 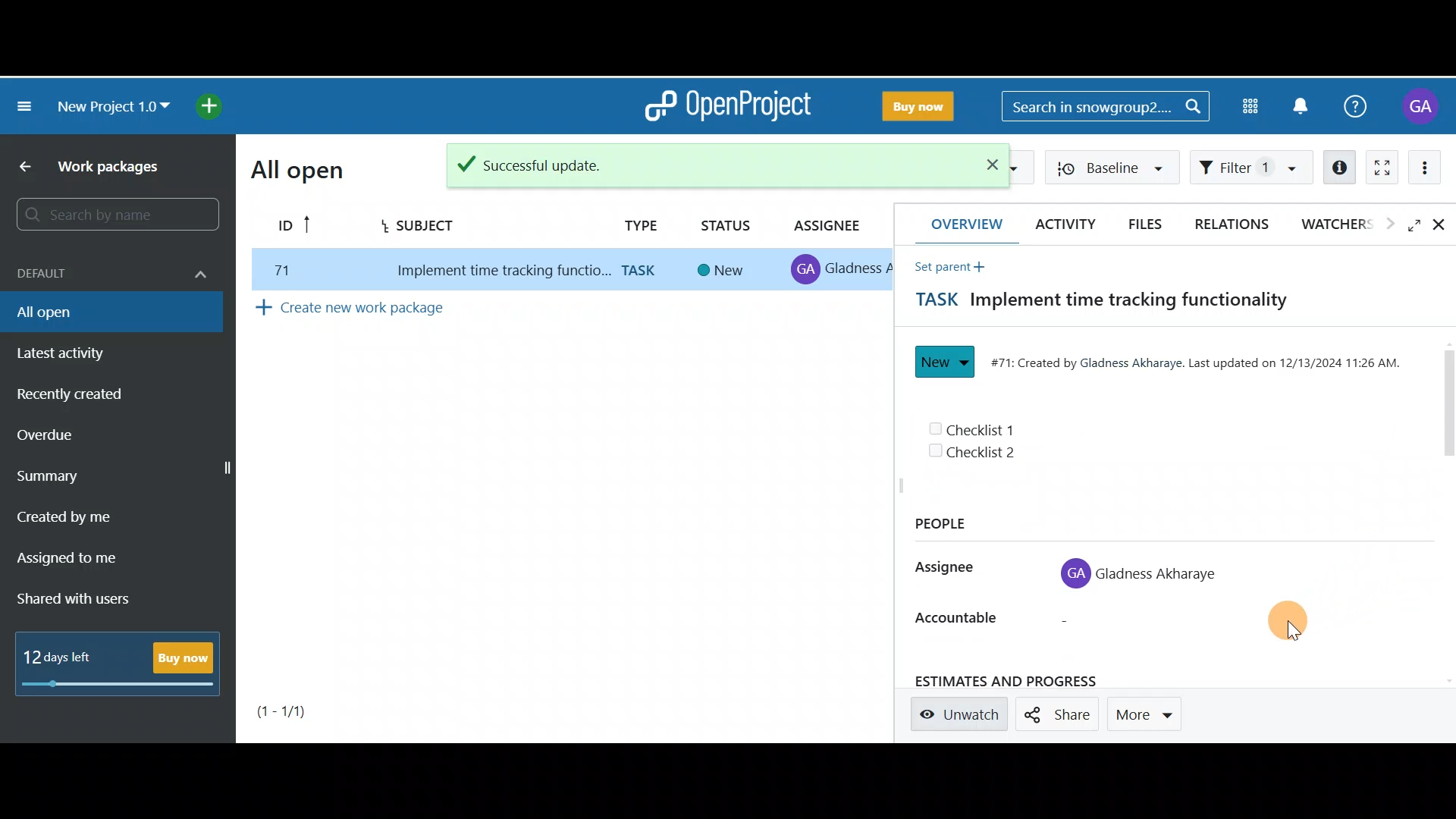 I want to click on gladness A, so click(x=860, y=268).